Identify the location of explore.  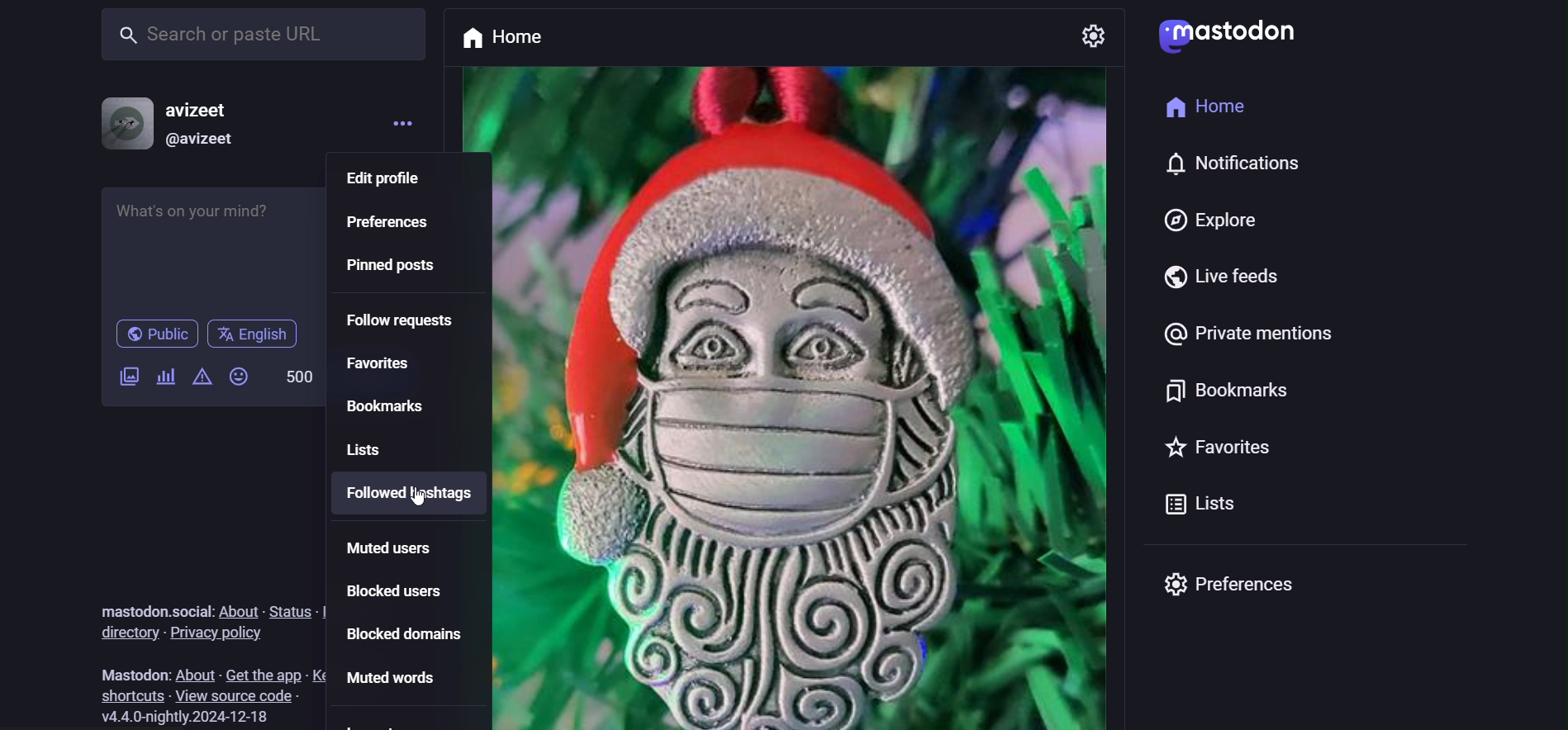
(1247, 221).